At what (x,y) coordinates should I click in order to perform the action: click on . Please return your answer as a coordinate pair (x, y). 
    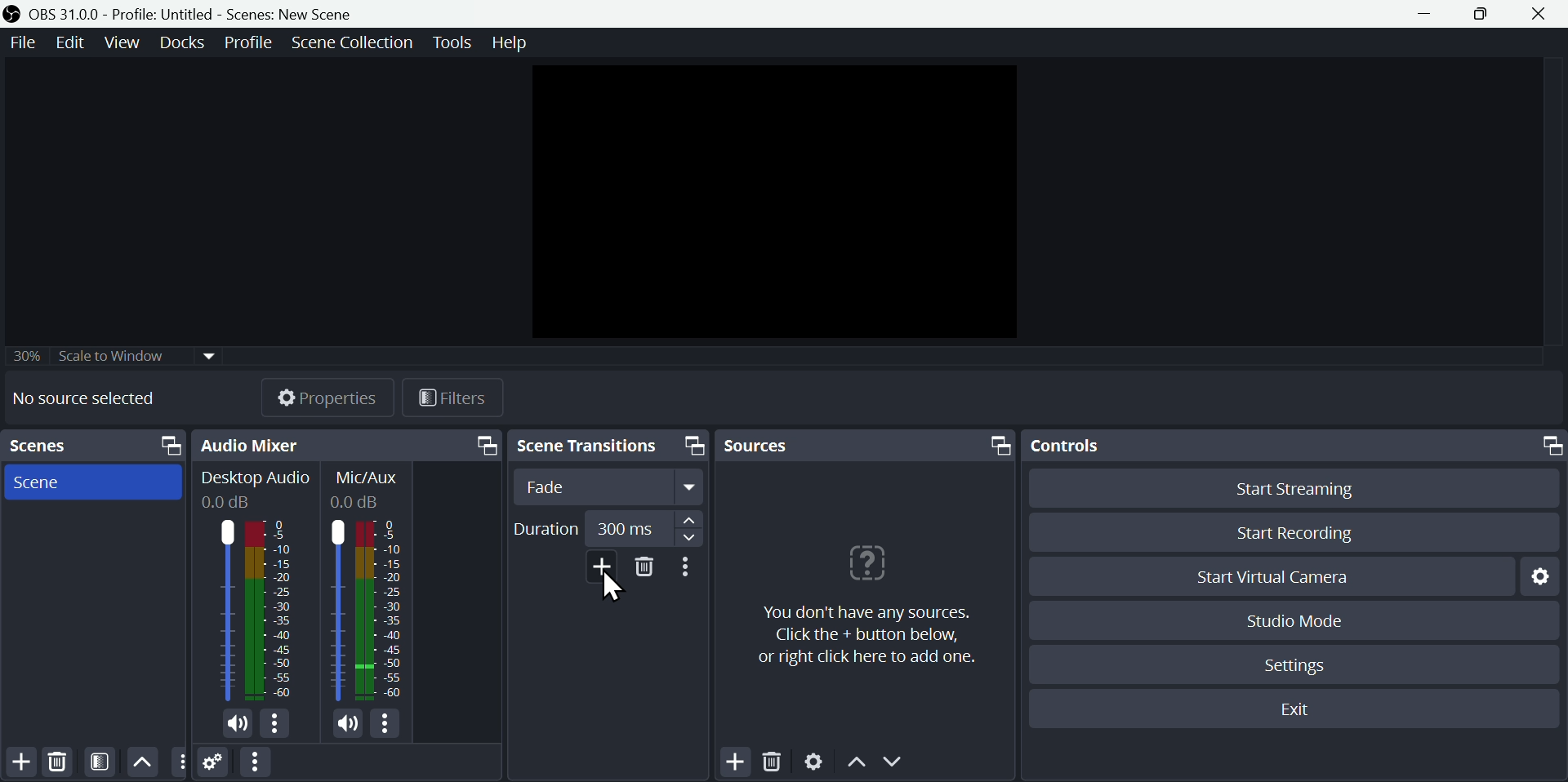
    Looking at the image, I should click on (608, 447).